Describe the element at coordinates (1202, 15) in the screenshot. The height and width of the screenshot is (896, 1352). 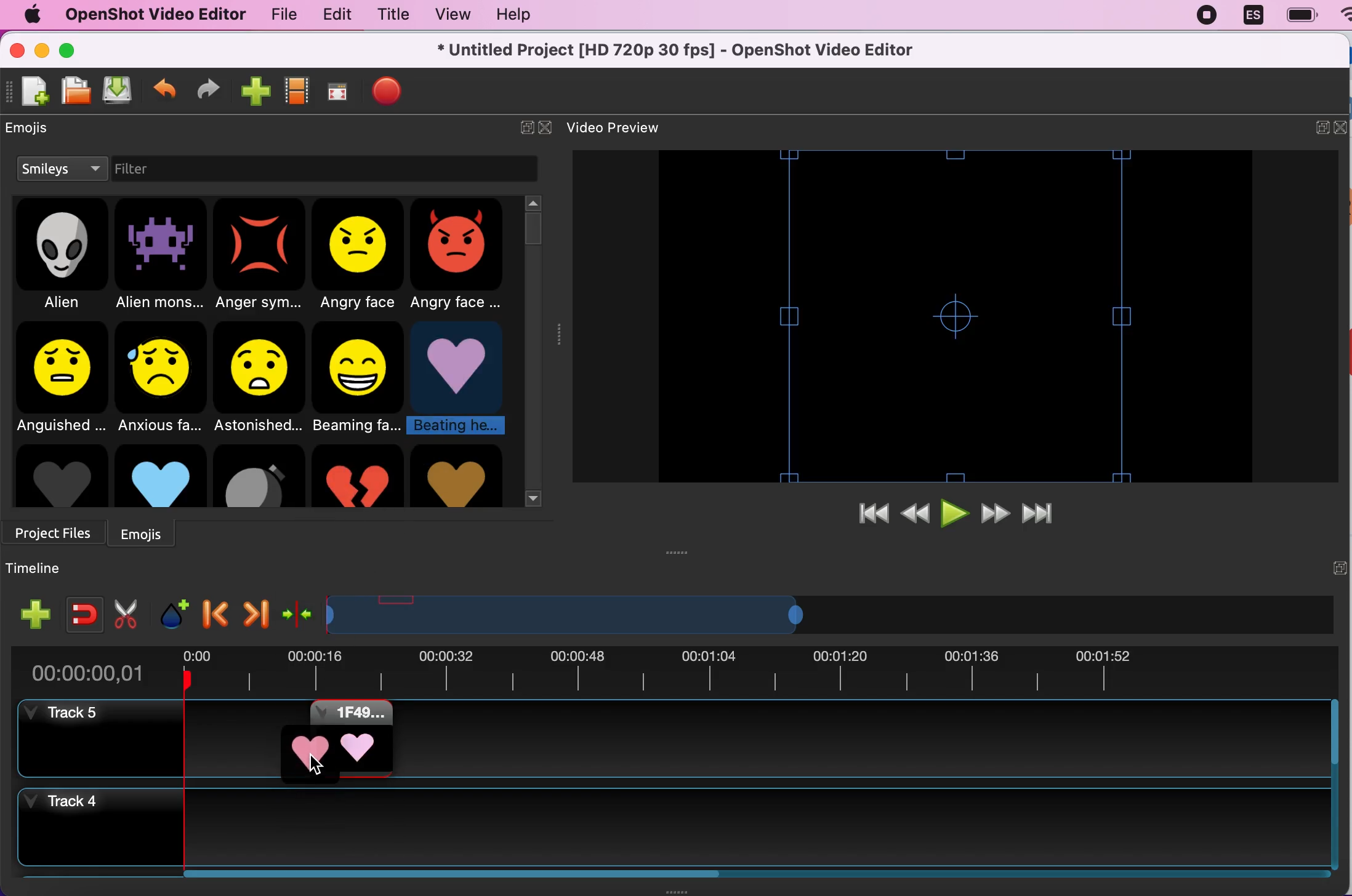
I see `recording stopped` at that location.